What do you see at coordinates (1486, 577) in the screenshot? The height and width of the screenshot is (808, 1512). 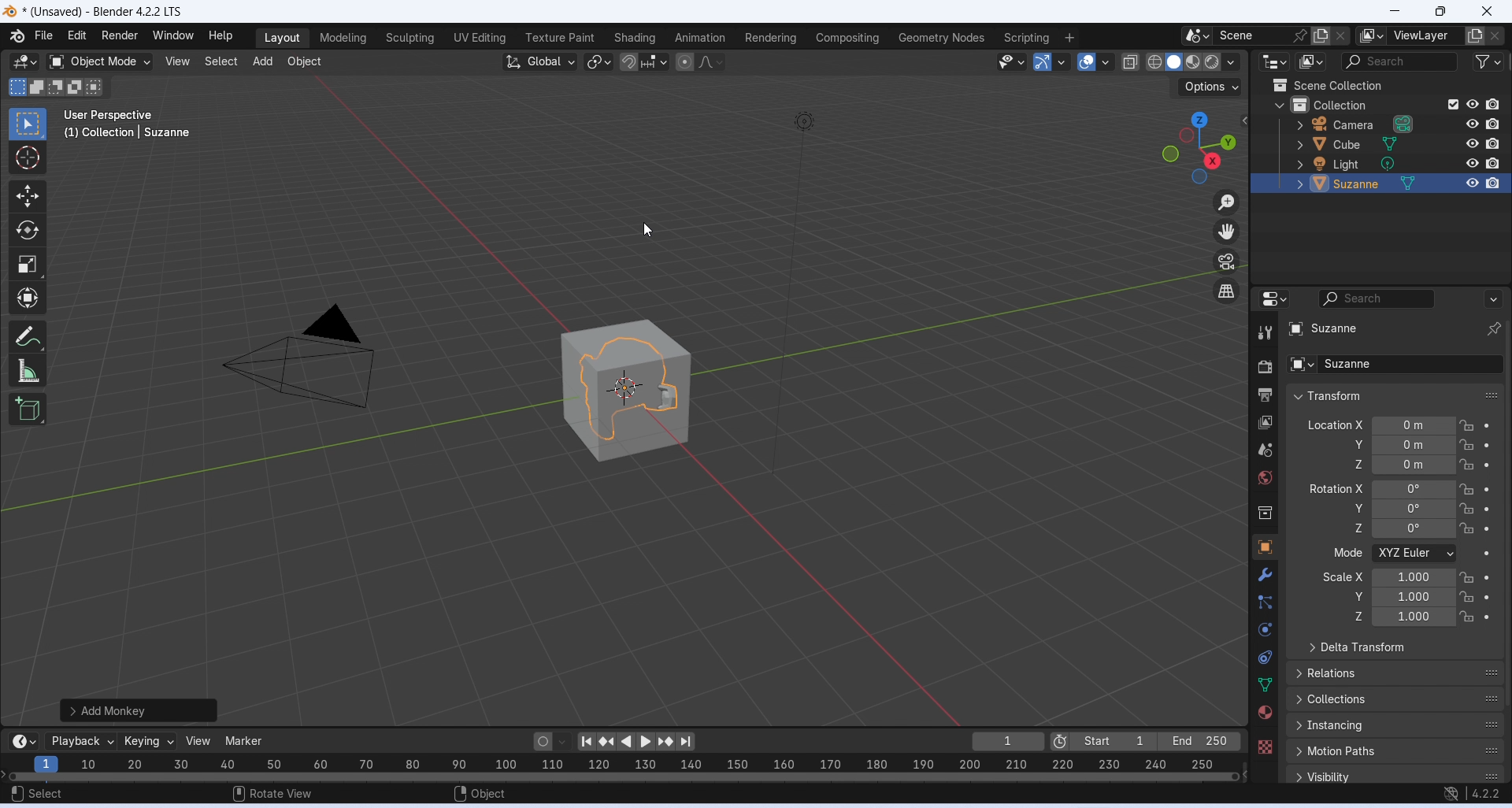 I see `animate property` at bounding box center [1486, 577].